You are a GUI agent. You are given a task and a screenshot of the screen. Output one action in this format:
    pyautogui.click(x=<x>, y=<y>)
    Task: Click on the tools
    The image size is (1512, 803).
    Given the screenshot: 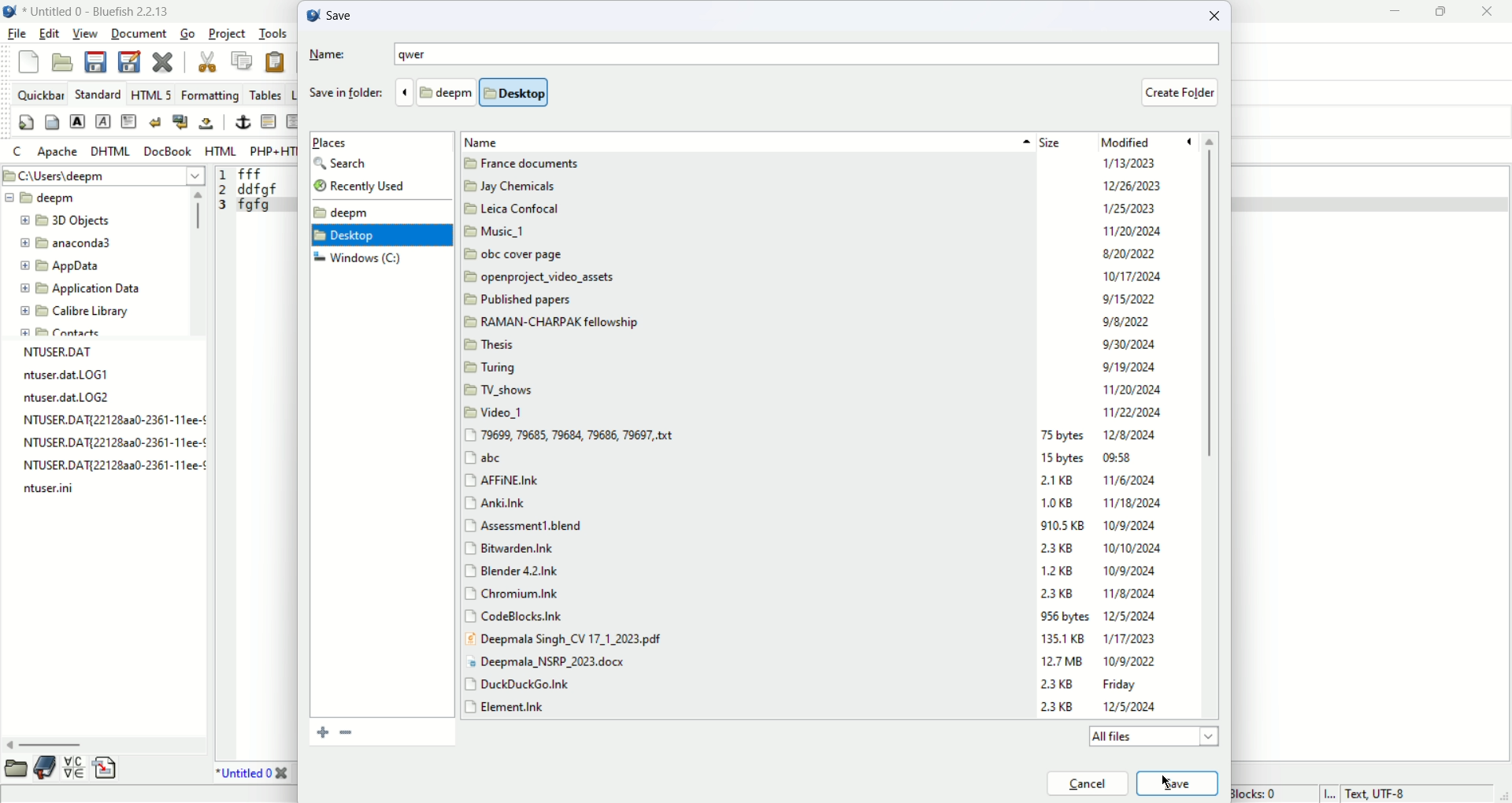 What is the action you would take?
    pyautogui.click(x=272, y=34)
    